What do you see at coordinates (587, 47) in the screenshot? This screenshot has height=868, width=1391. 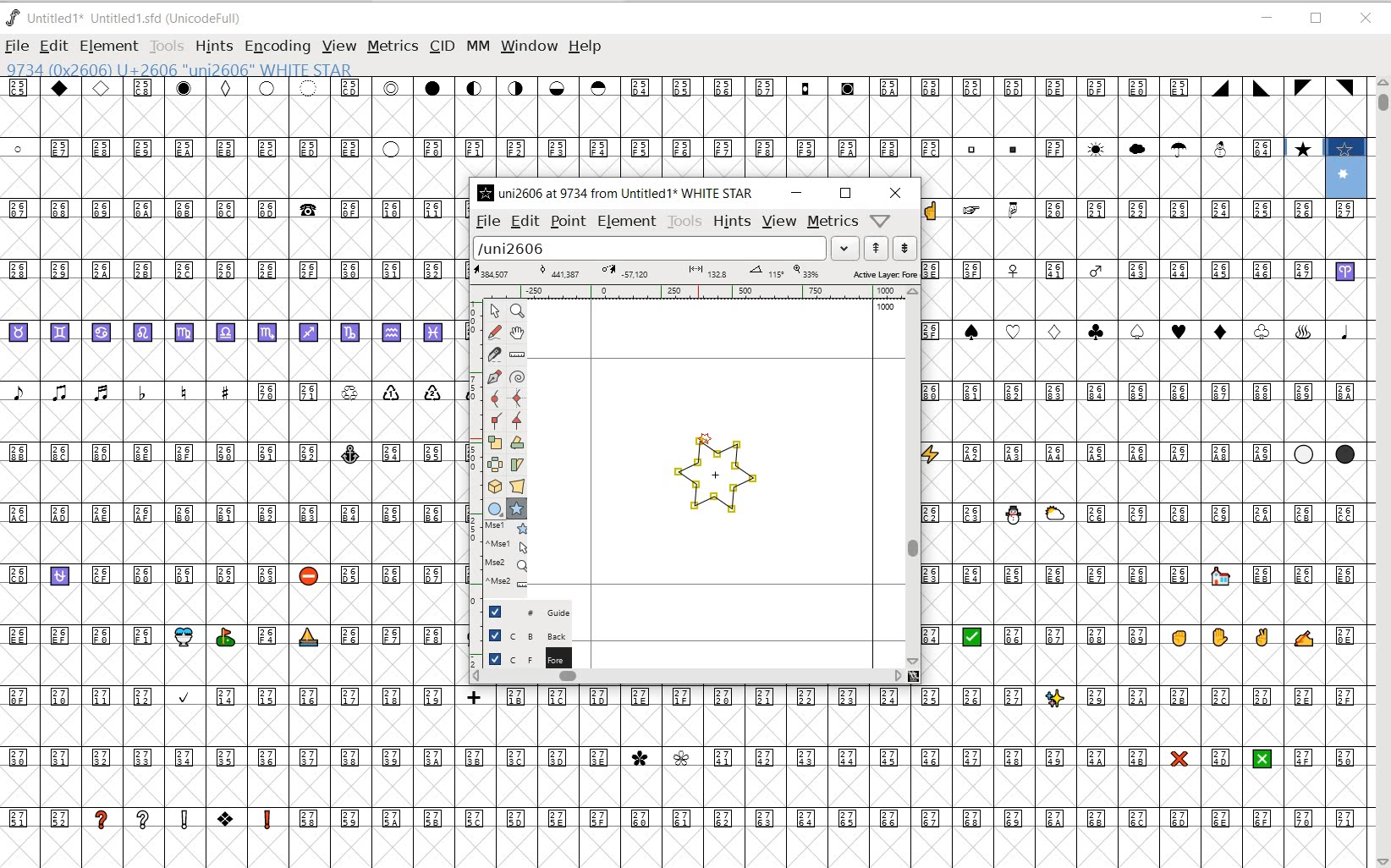 I see `HELP` at bounding box center [587, 47].